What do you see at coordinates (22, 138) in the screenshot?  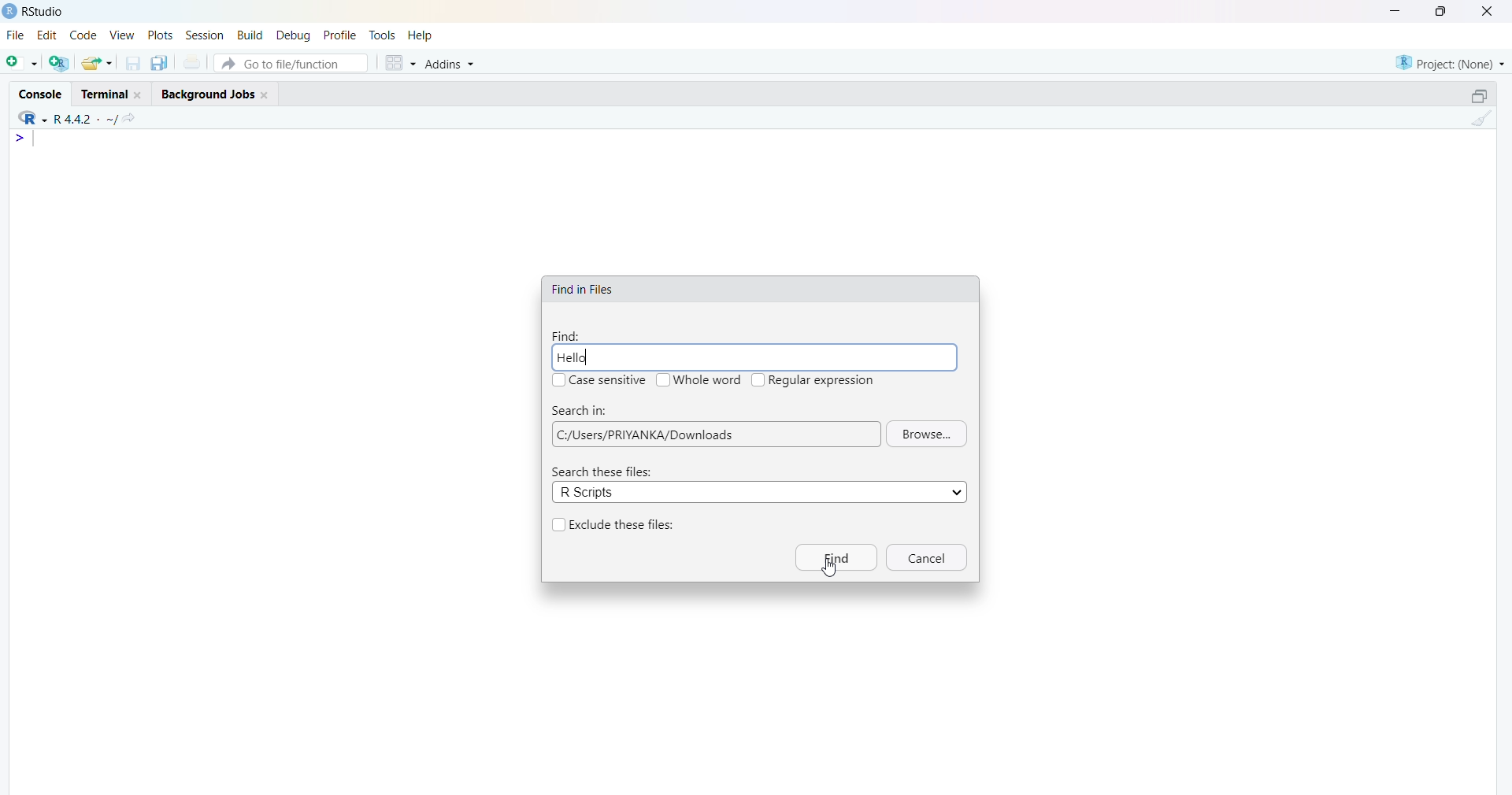 I see `>` at bounding box center [22, 138].